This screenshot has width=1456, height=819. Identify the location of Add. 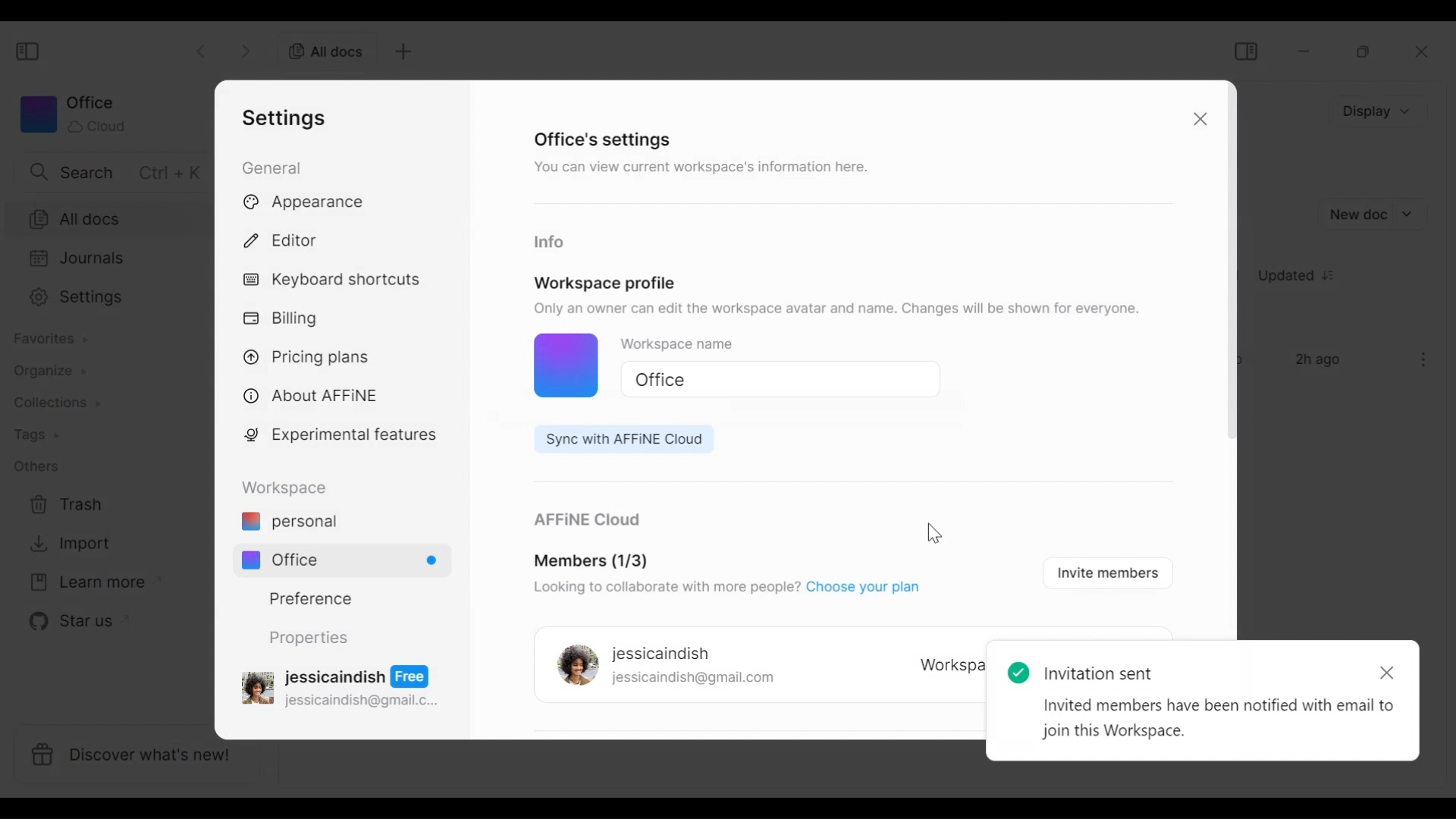
(401, 52).